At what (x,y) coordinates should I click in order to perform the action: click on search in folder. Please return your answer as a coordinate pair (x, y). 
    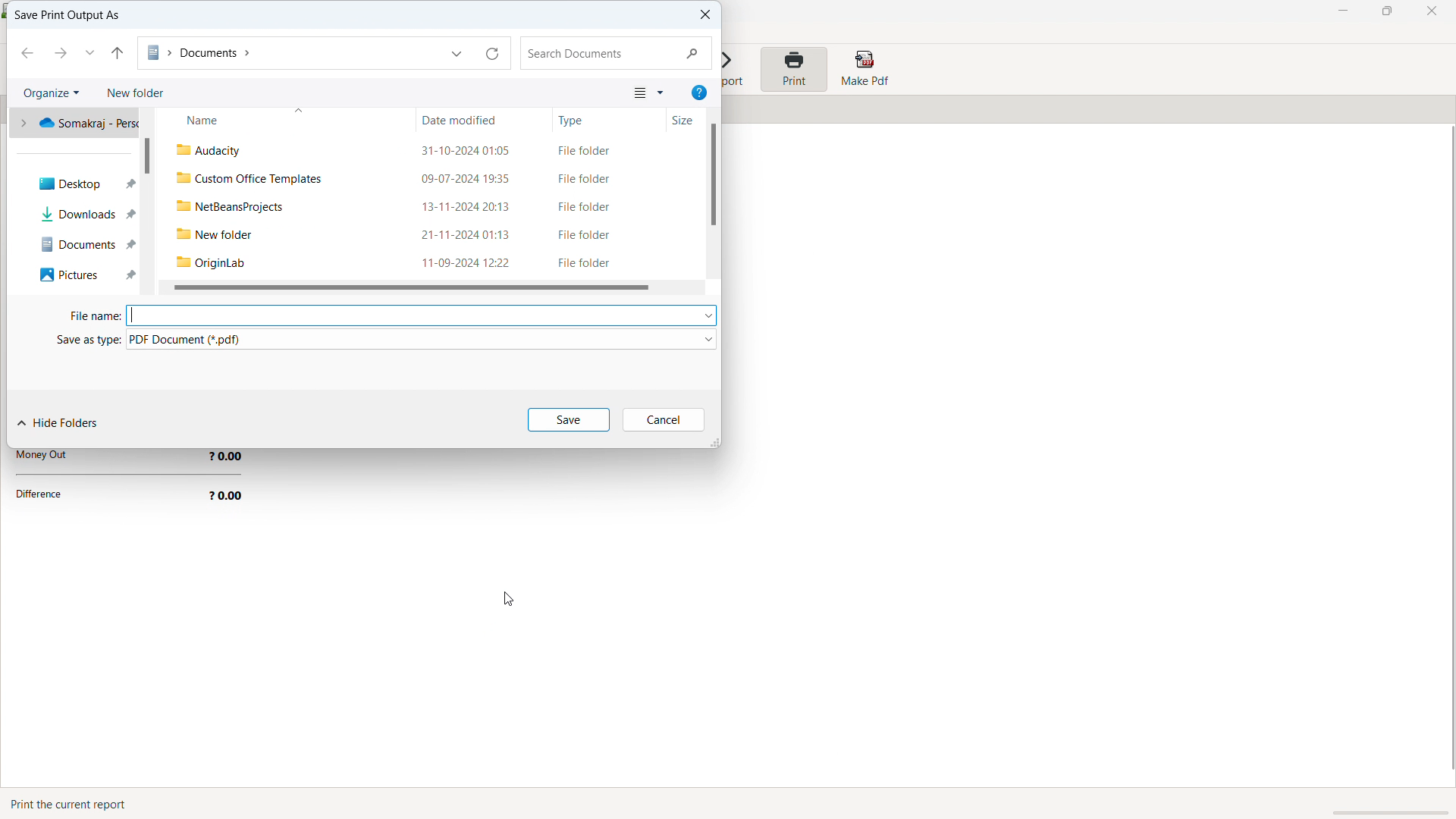
    Looking at the image, I should click on (616, 53).